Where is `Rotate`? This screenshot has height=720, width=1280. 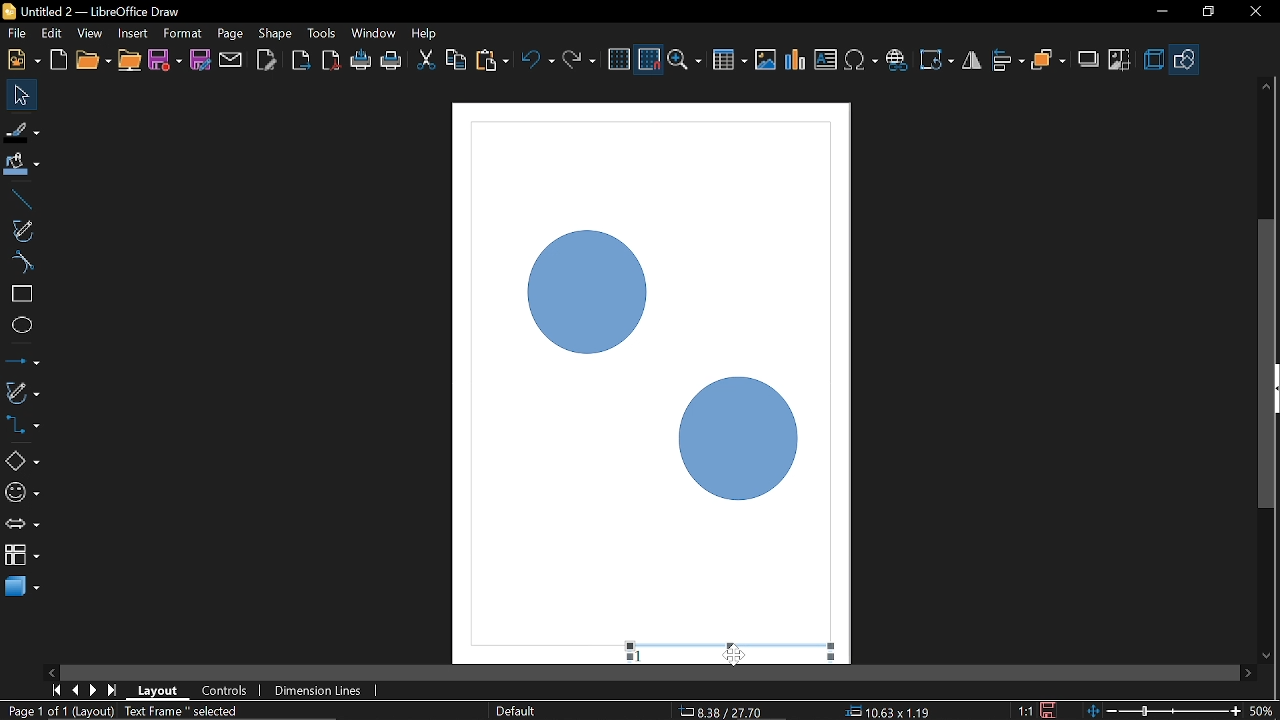
Rotate is located at coordinates (938, 60).